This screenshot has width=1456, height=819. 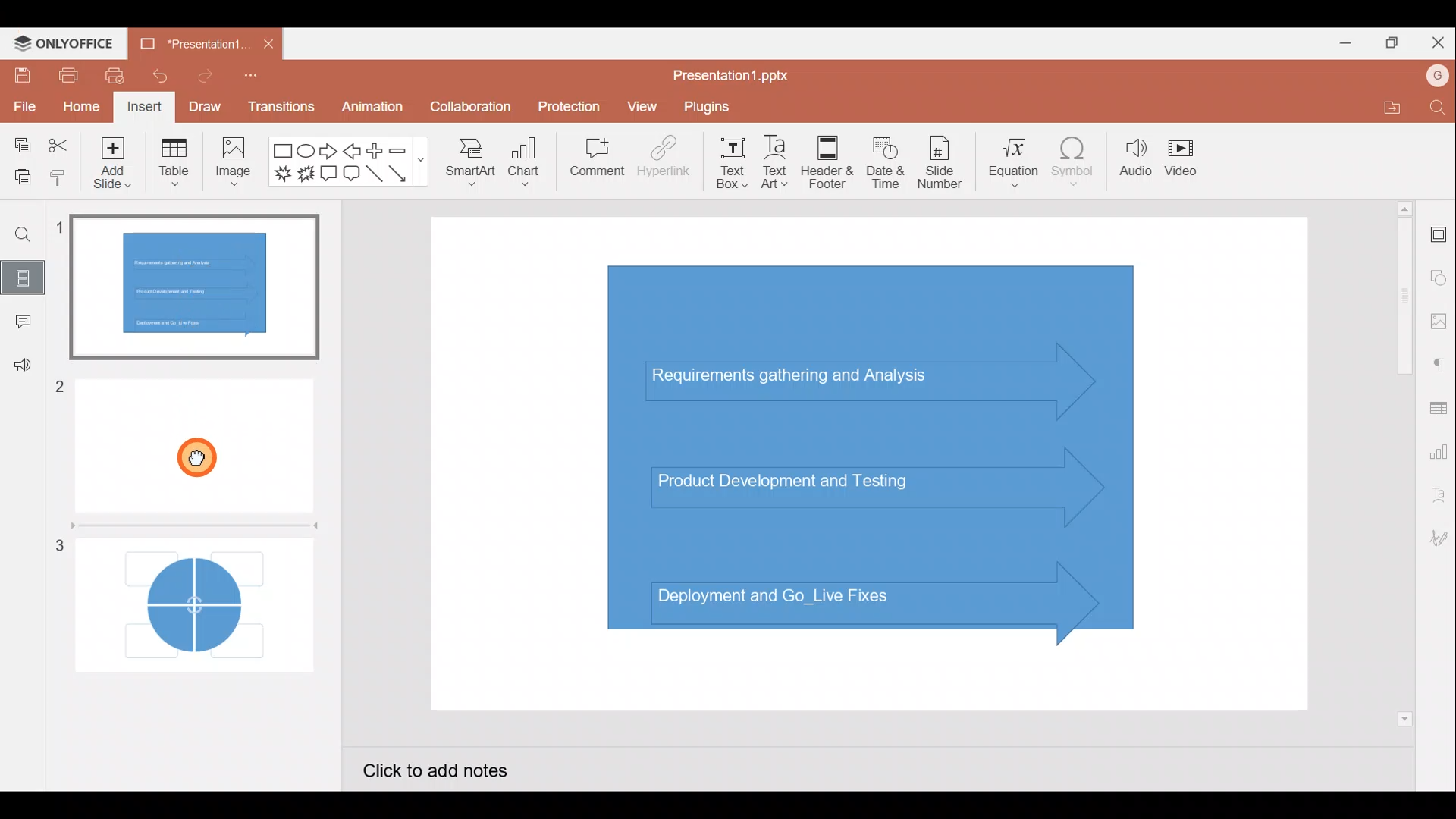 I want to click on Signature settings, so click(x=1436, y=538).